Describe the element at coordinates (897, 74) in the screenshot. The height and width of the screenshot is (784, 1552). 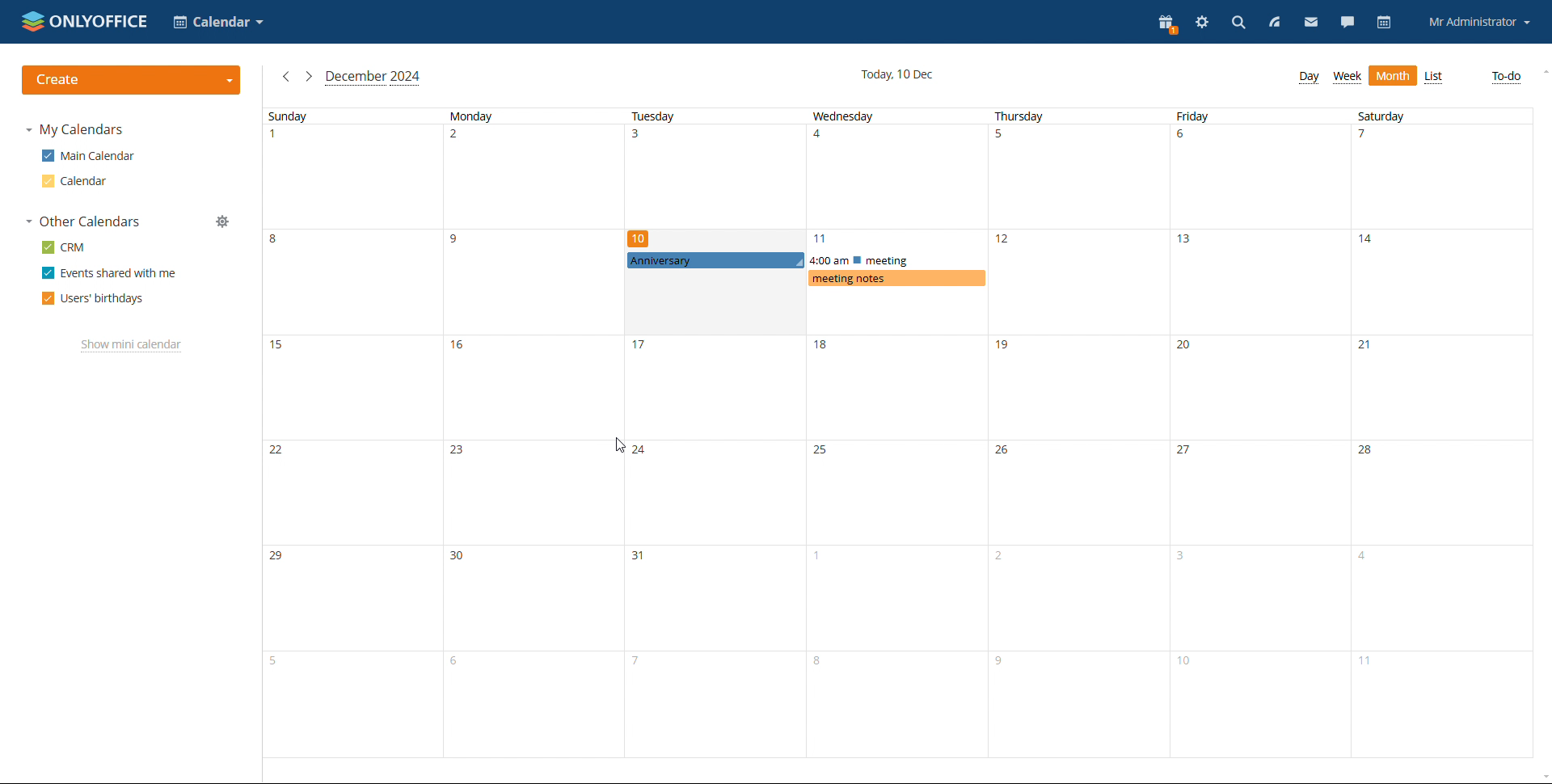
I see `current date` at that location.